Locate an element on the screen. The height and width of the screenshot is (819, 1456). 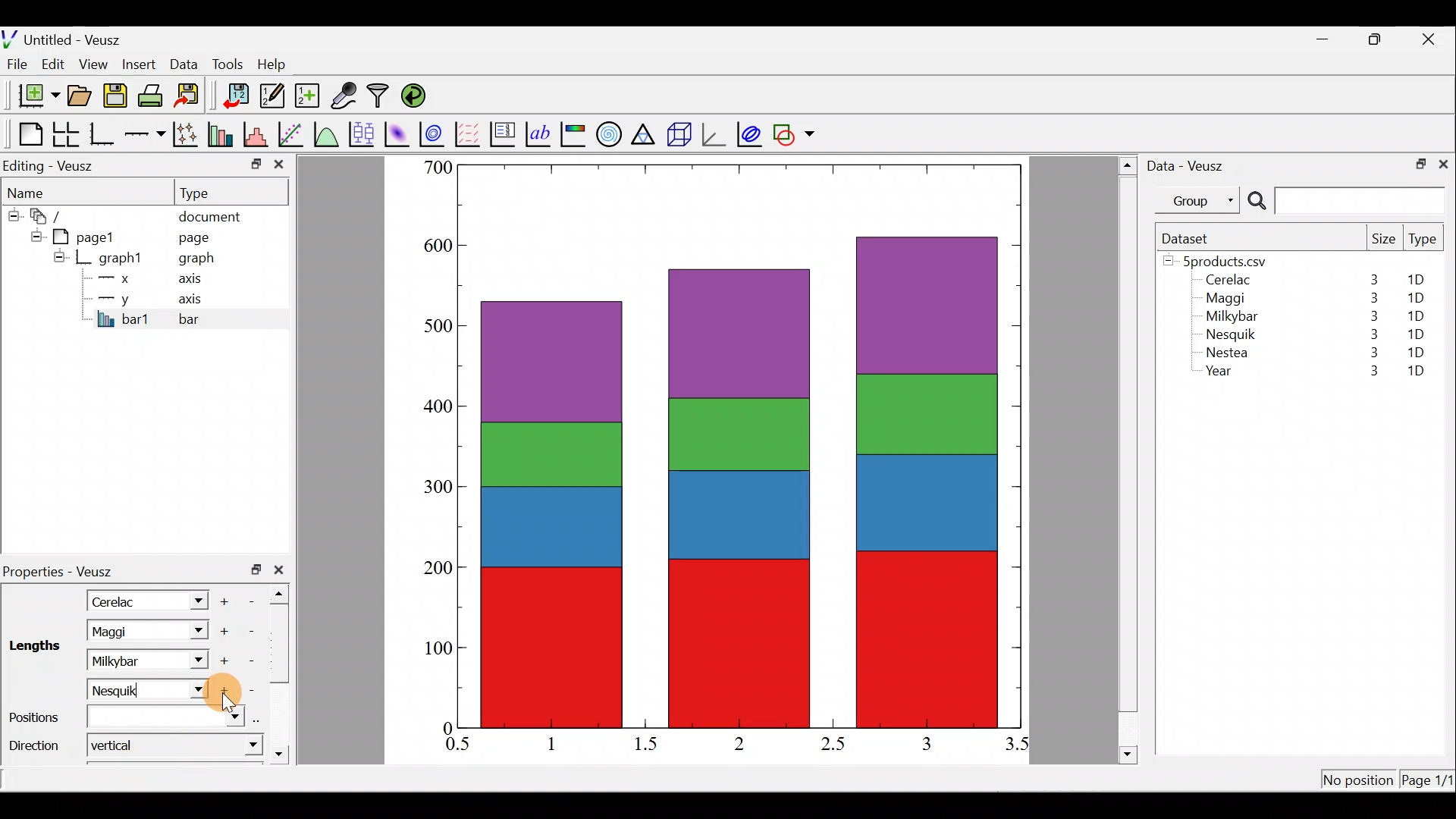
hide is located at coordinates (33, 234).